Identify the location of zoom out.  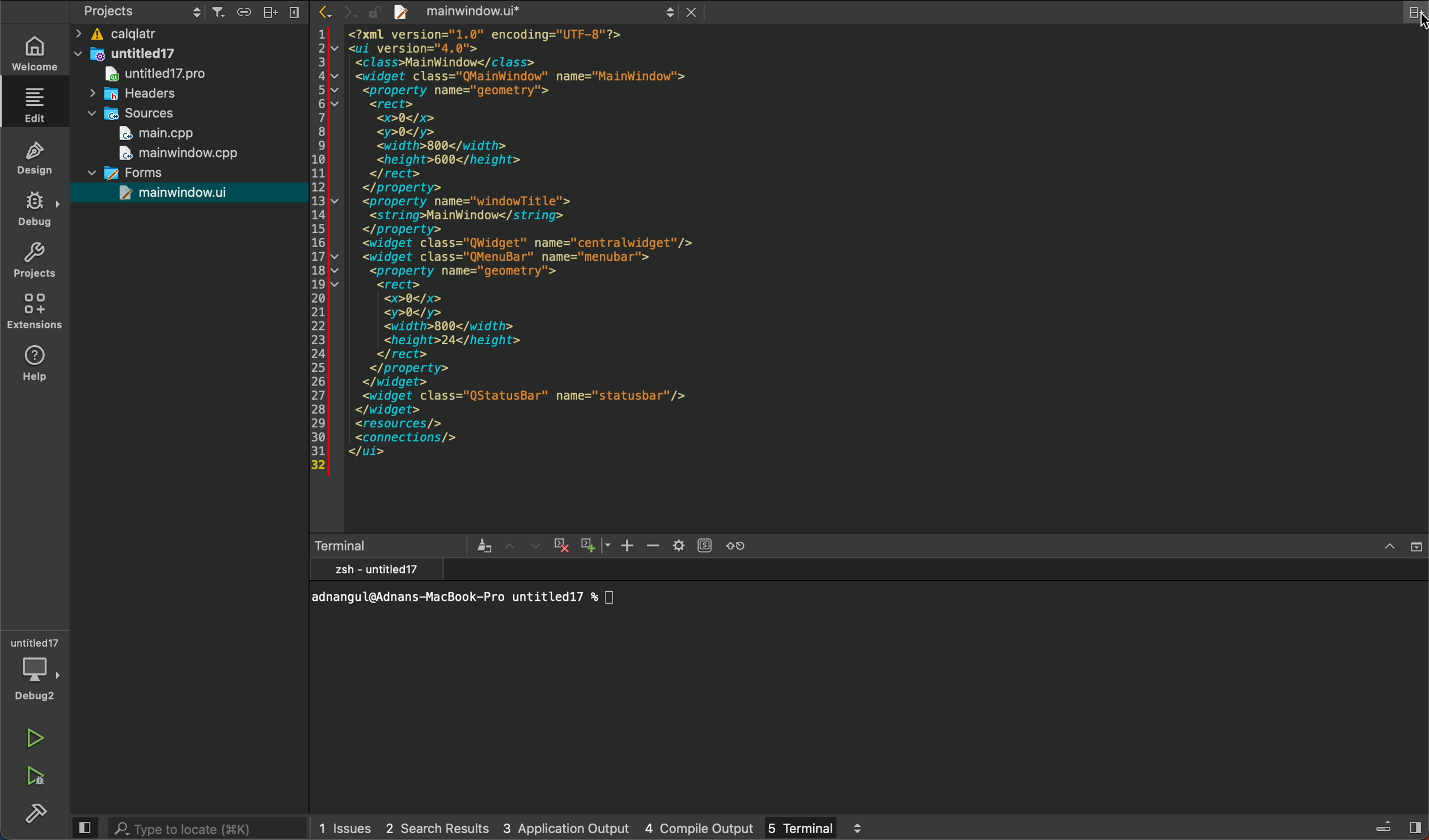
(654, 546).